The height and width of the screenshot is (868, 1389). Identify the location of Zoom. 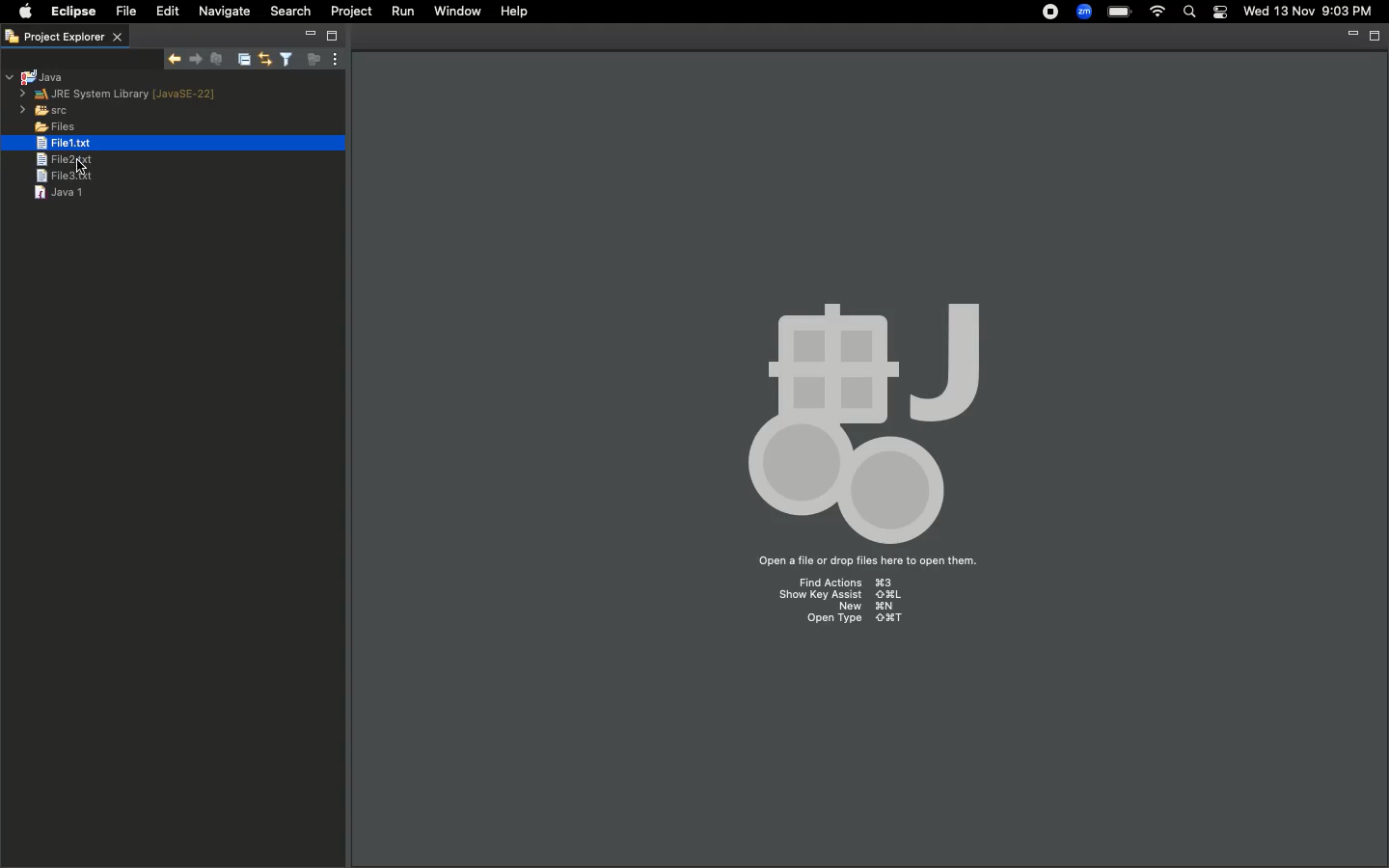
(1084, 12).